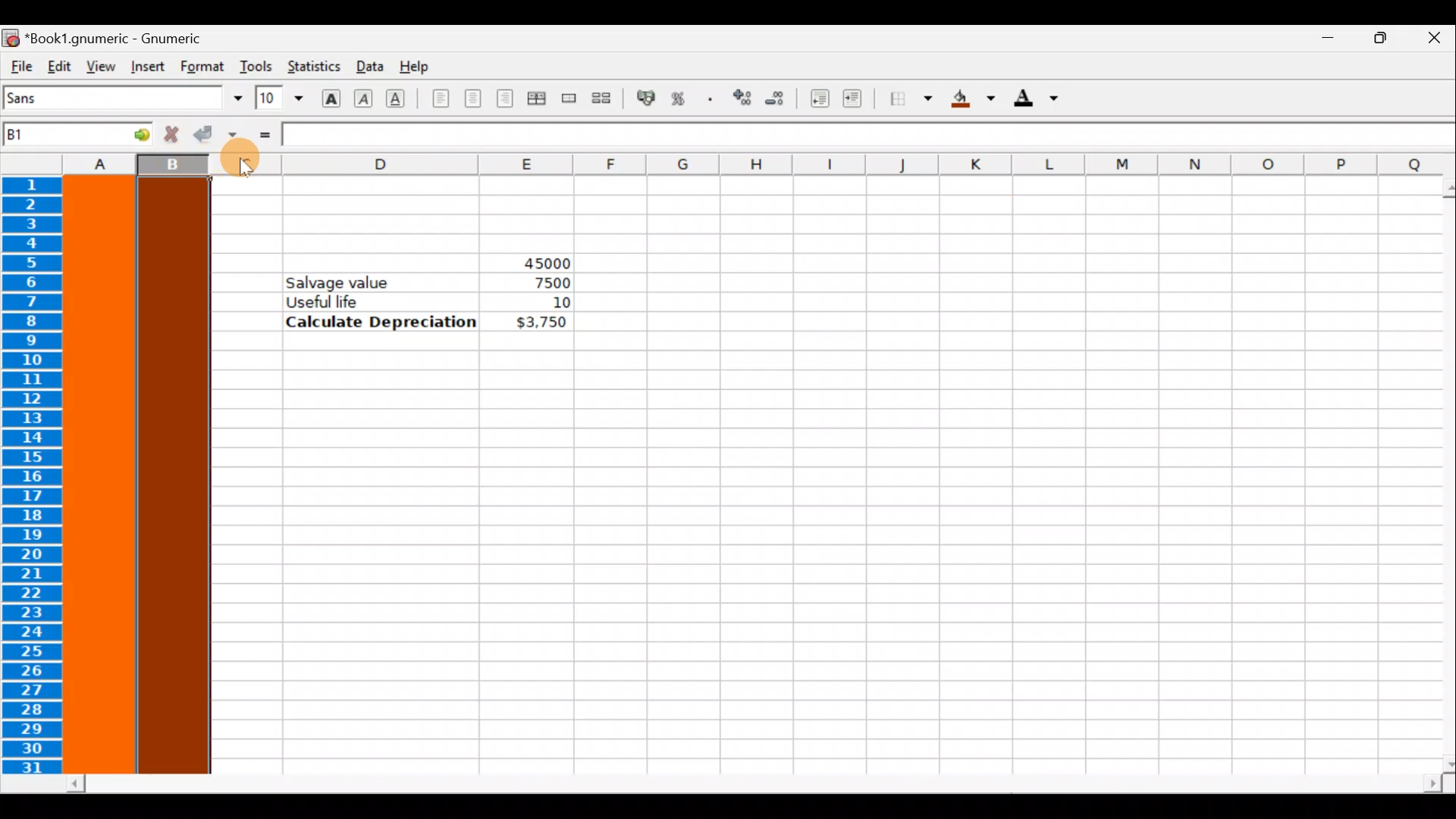  Describe the element at coordinates (131, 133) in the screenshot. I see `Go to` at that location.